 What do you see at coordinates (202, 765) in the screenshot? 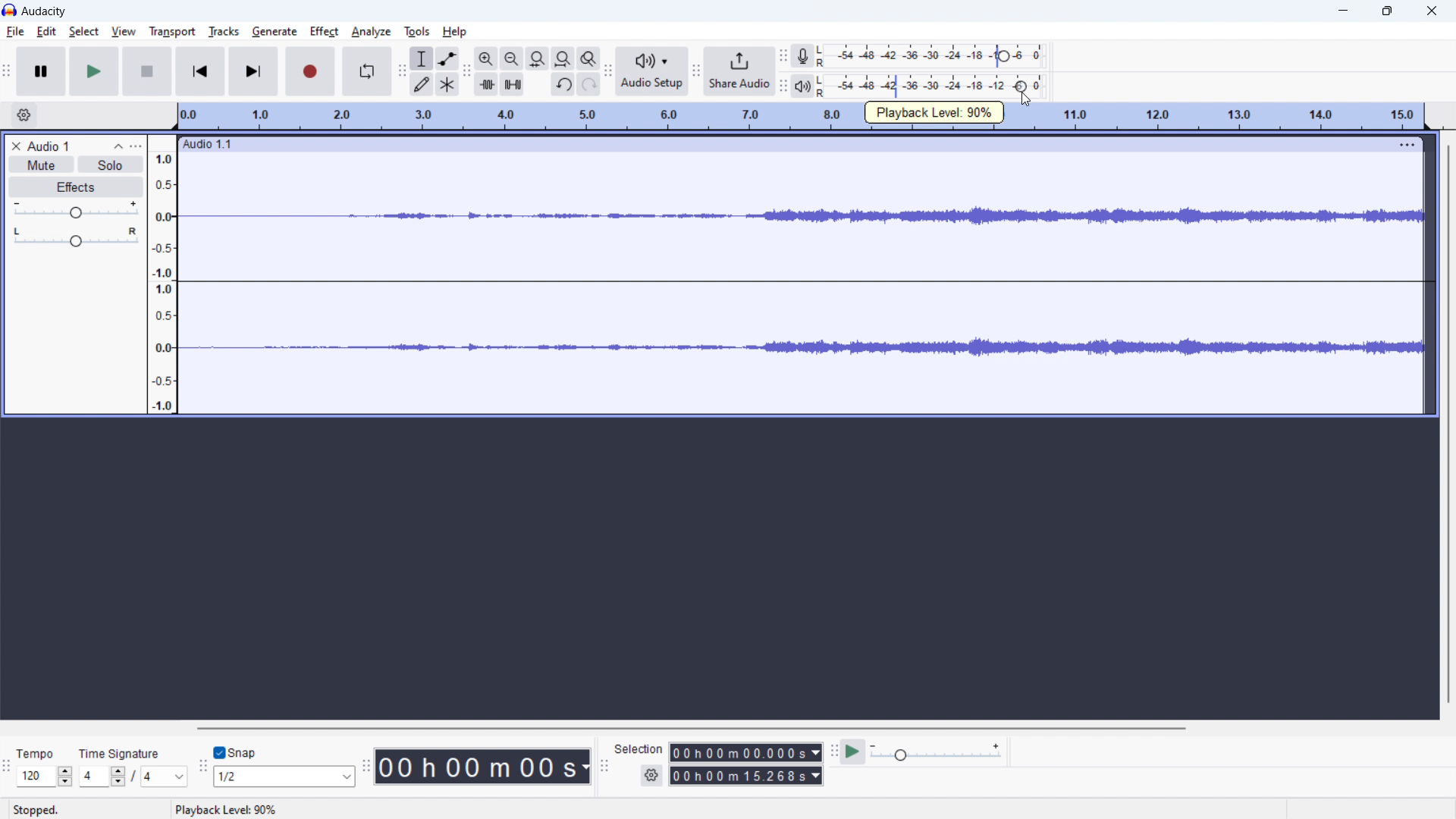
I see `snapping toolbar` at bounding box center [202, 765].